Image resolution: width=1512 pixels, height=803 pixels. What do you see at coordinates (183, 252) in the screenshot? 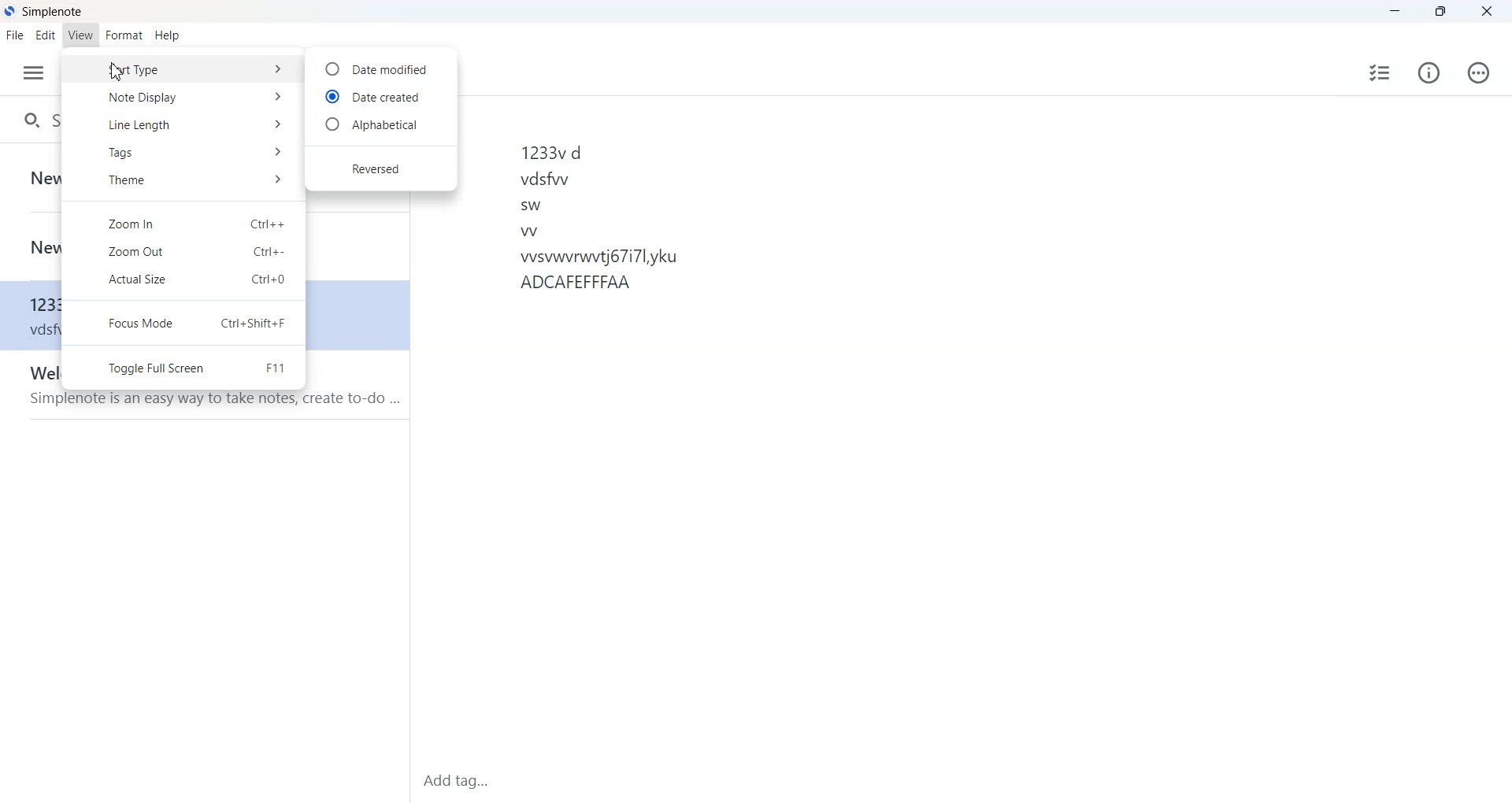
I see `Zoom Out` at bounding box center [183, 252].